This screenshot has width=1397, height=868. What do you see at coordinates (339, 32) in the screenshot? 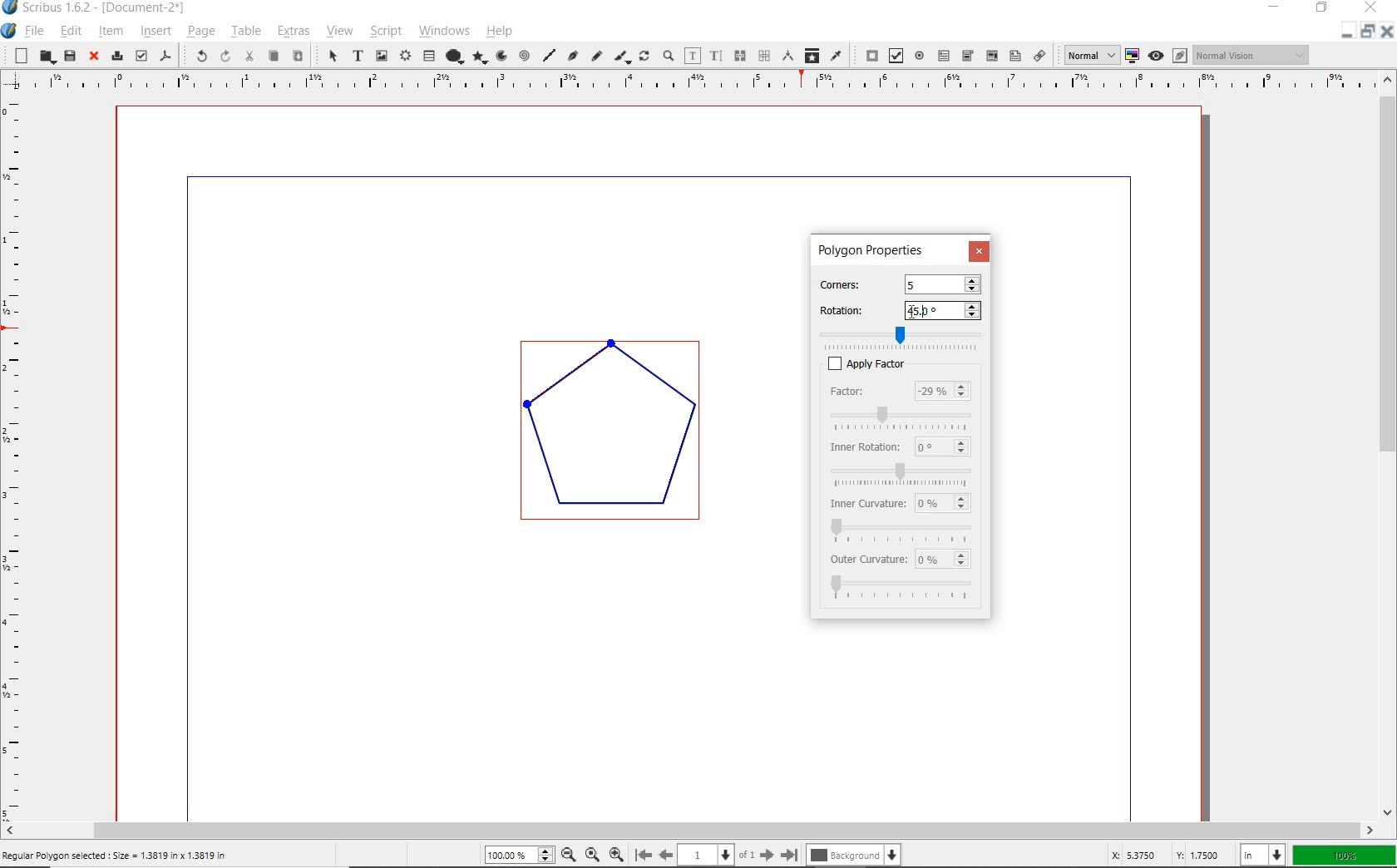
I see `view` at bounding box center [339, 32].